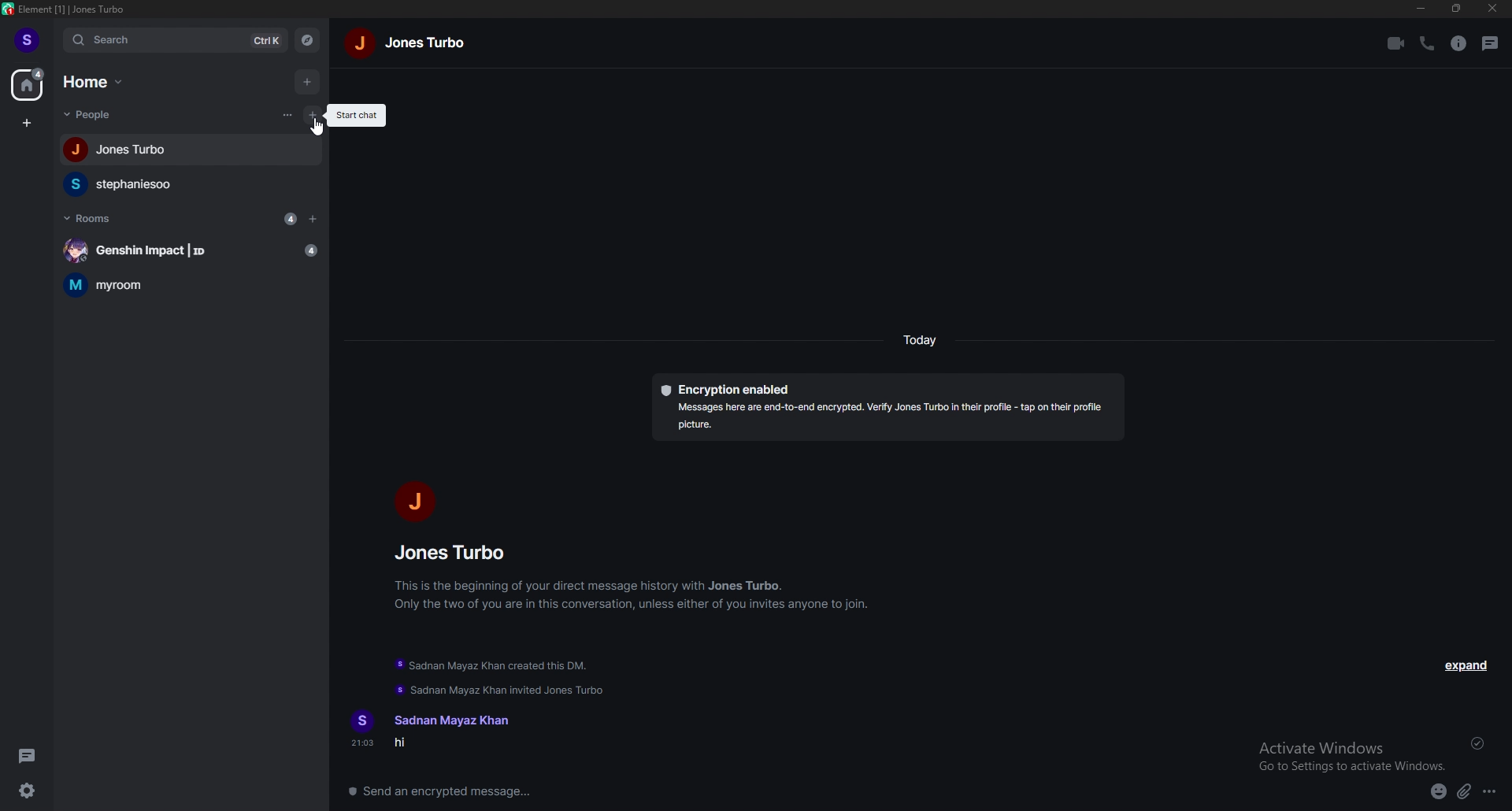  What do you see at coordinates (359, 115) in the screenshot?
I see `start chat` at bounding box center [359, 115].